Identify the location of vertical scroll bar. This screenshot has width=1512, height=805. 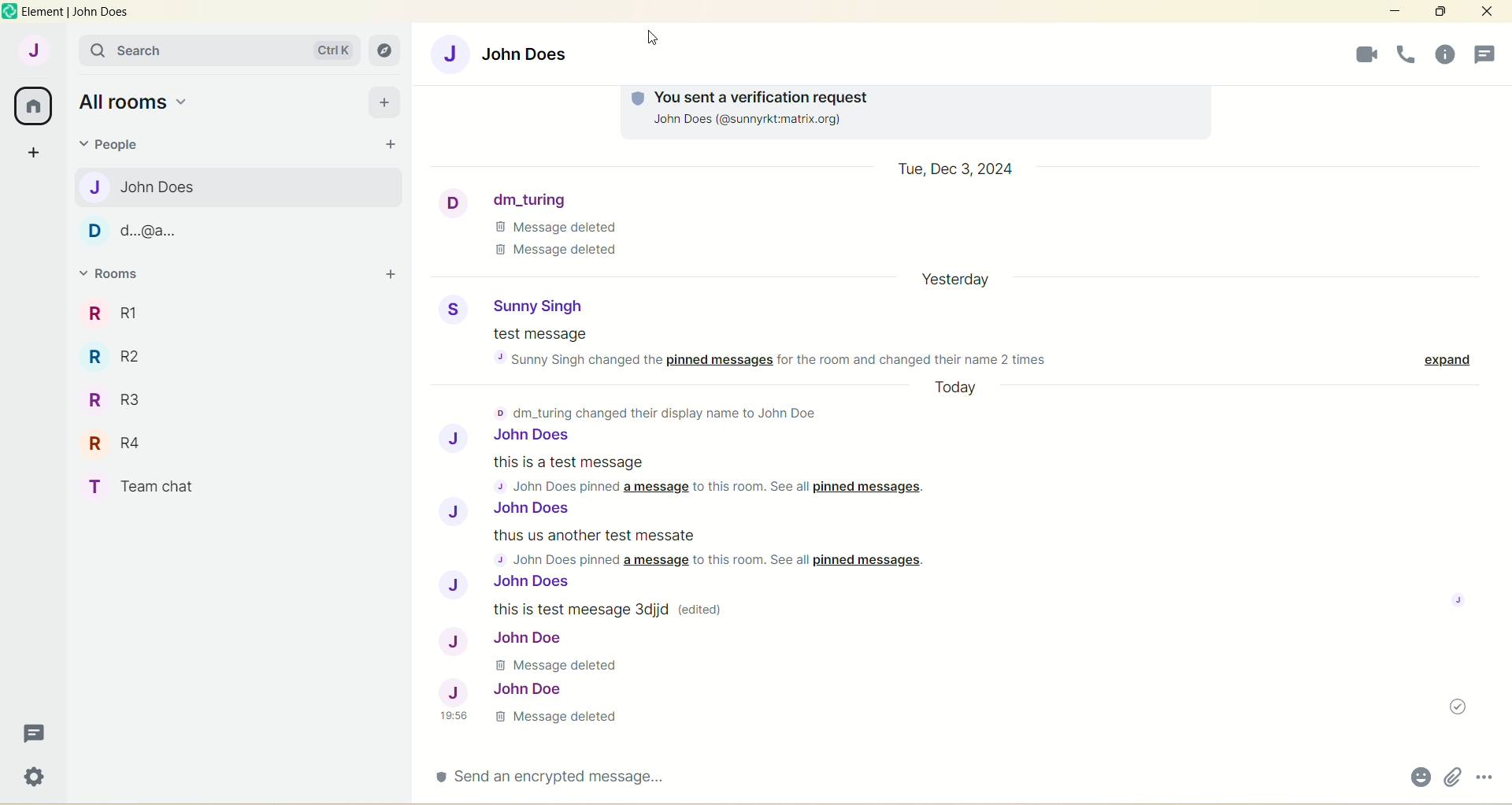
(1503, 418).